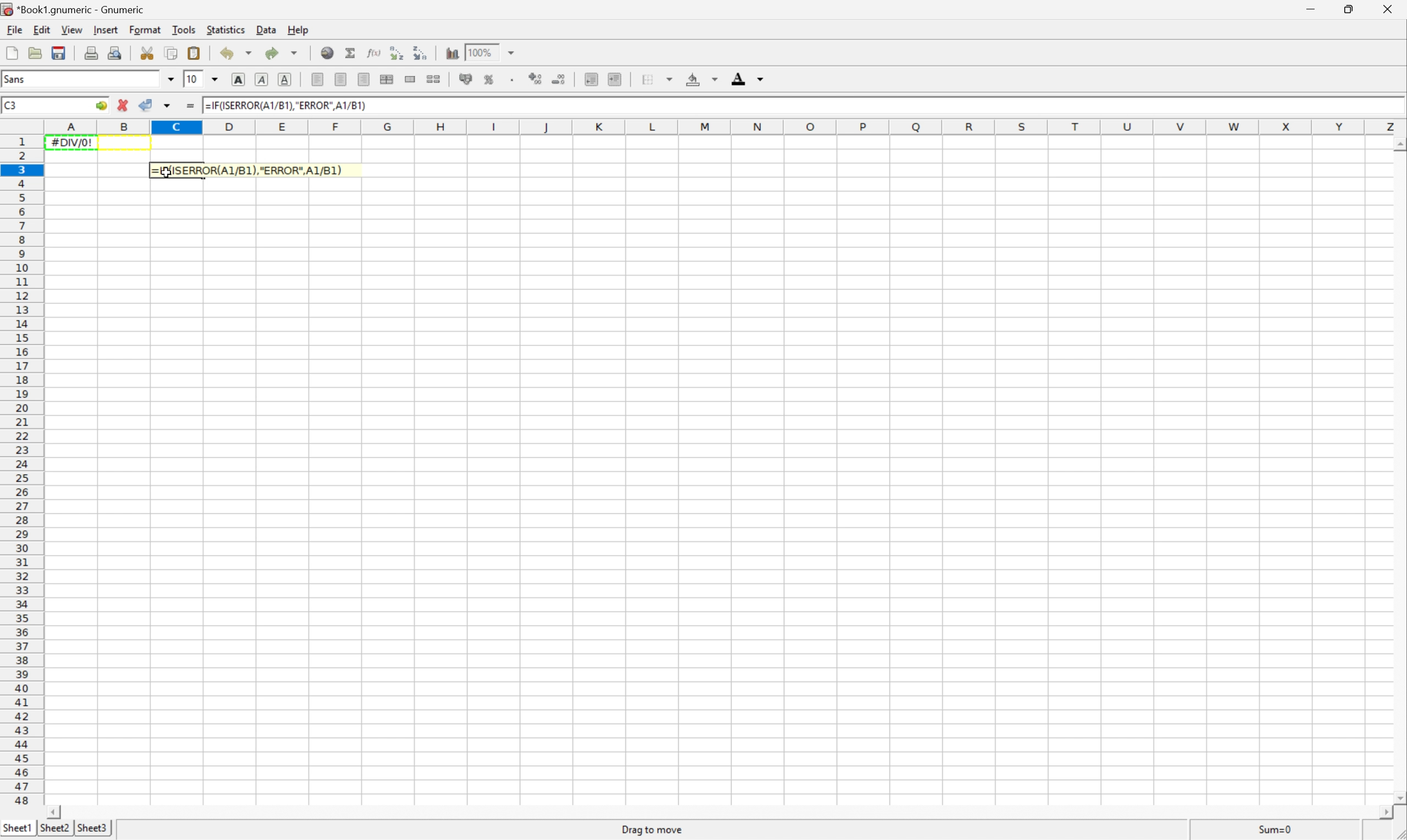  I want to click on Drop down, so click(765, 79).